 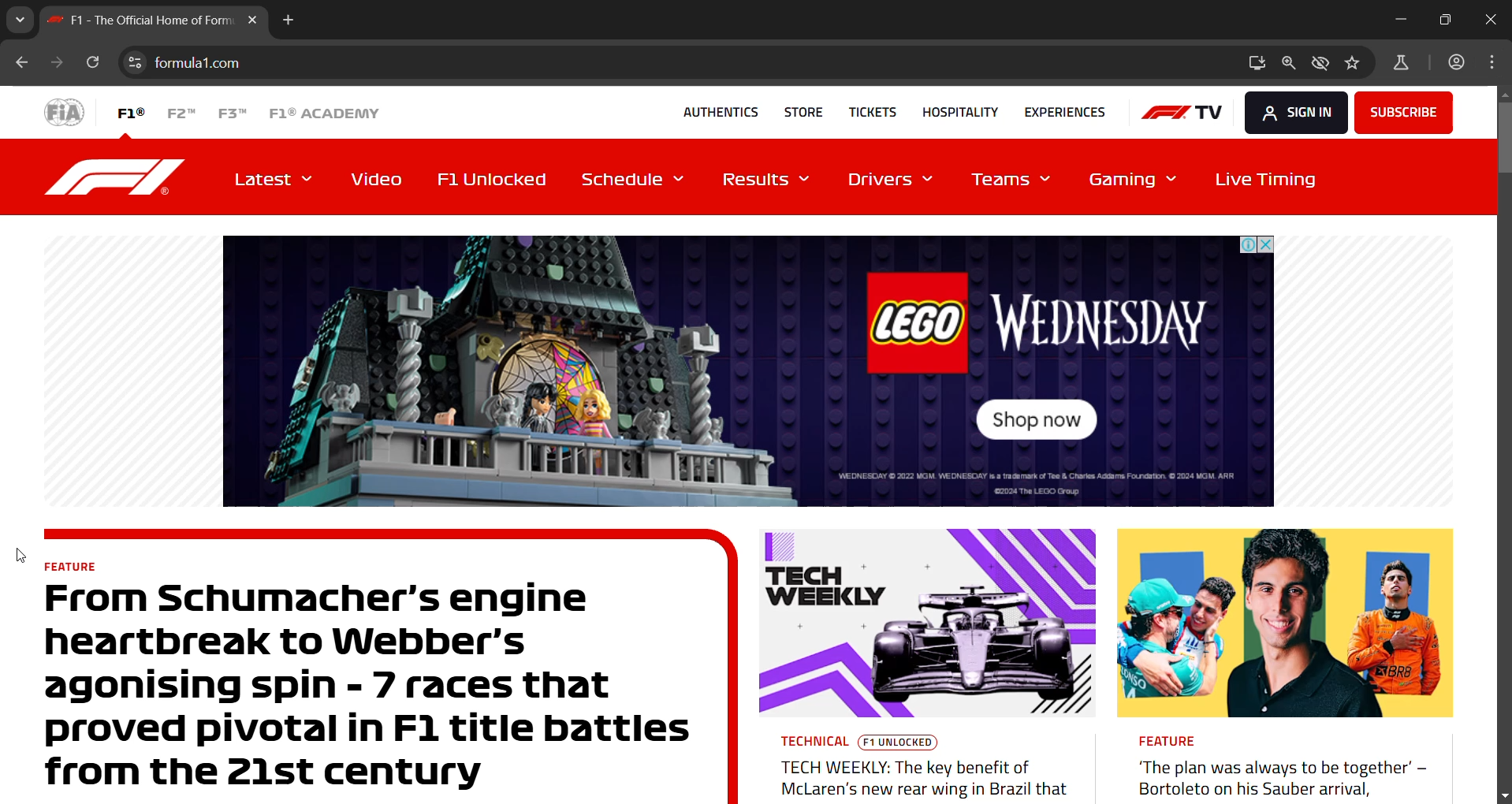 What do you see at coordinates (1290, 65) in the screenshot?
I see `zoom` at bounding box center [1290, 65].